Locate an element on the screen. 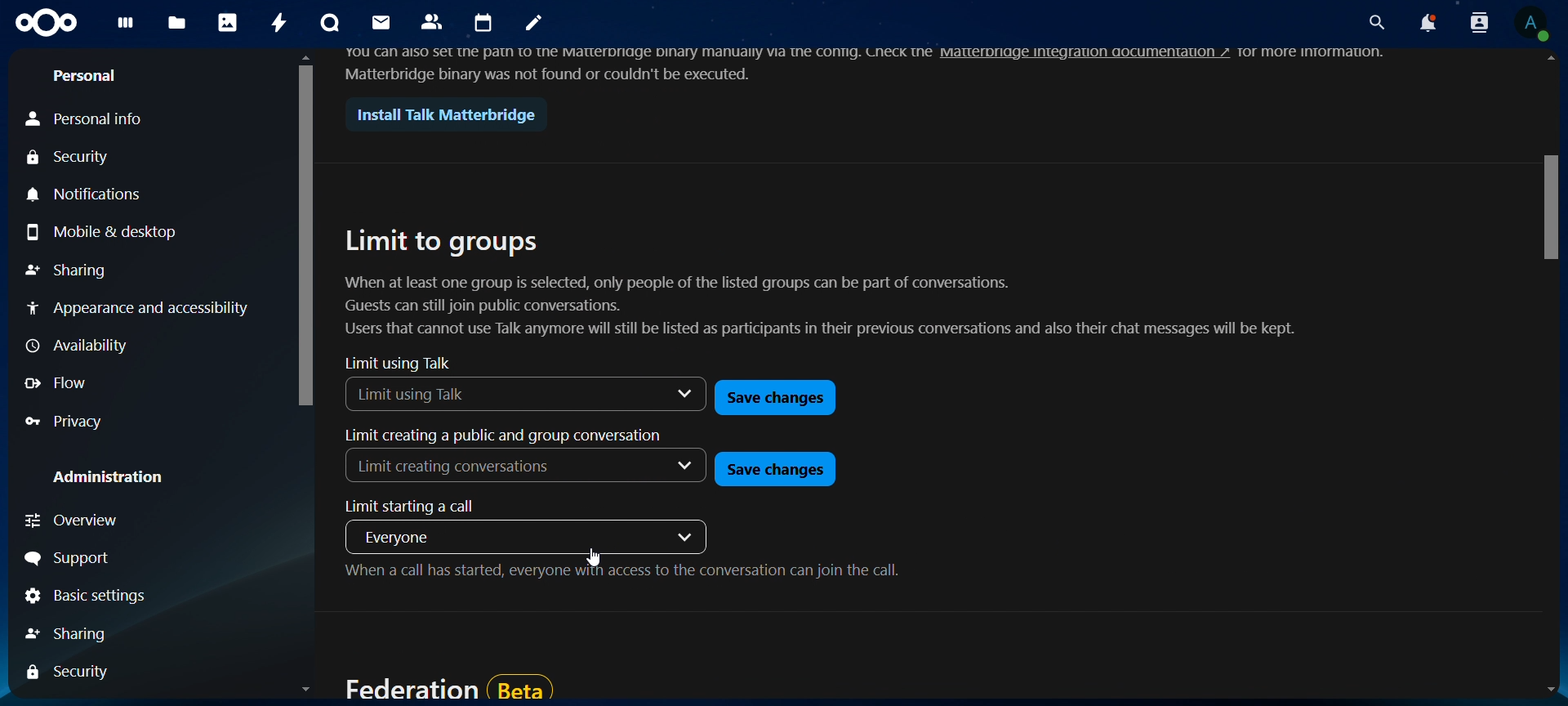 Image resolution: width=1568 pixels, height=706 pixels. Install Talk Matterbridge is located at coordinates (440, 114).